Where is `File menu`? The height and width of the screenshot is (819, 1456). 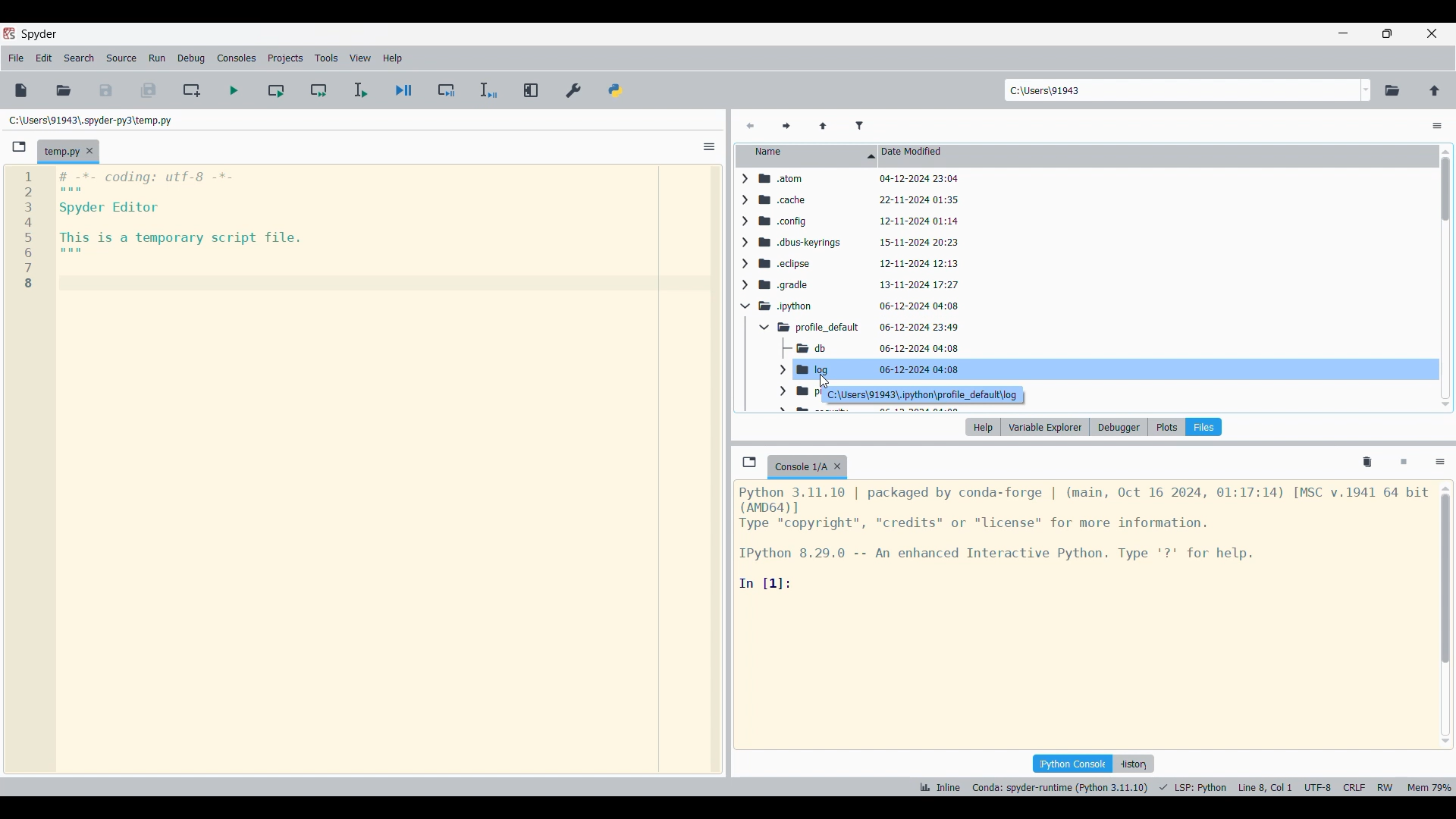
File menu is located at coordinates (16, 58).